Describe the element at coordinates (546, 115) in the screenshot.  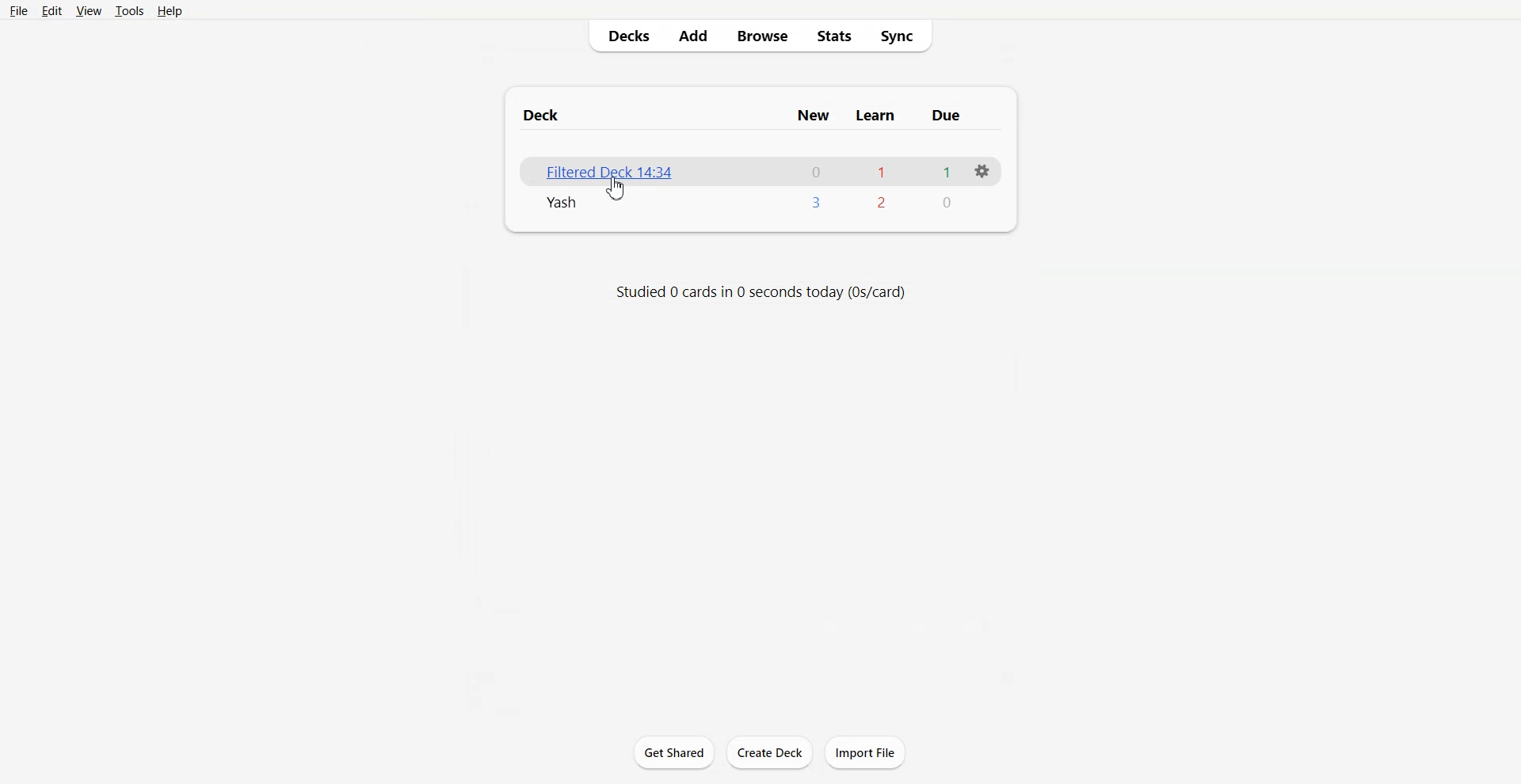
I see `Text 1` at that location.